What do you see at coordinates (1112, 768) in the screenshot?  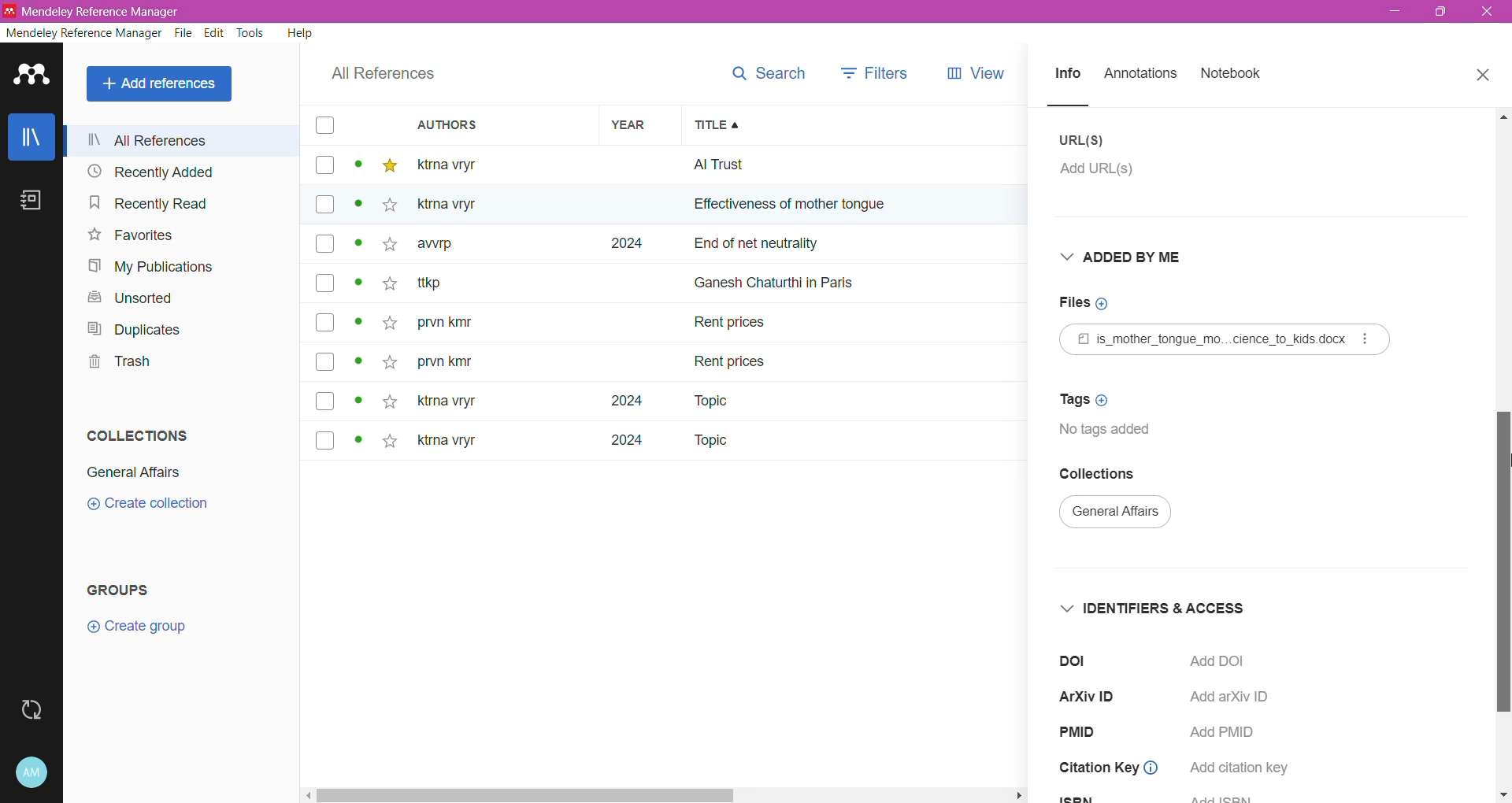 I see `Citation Key` at bounding box center [1112, 768].